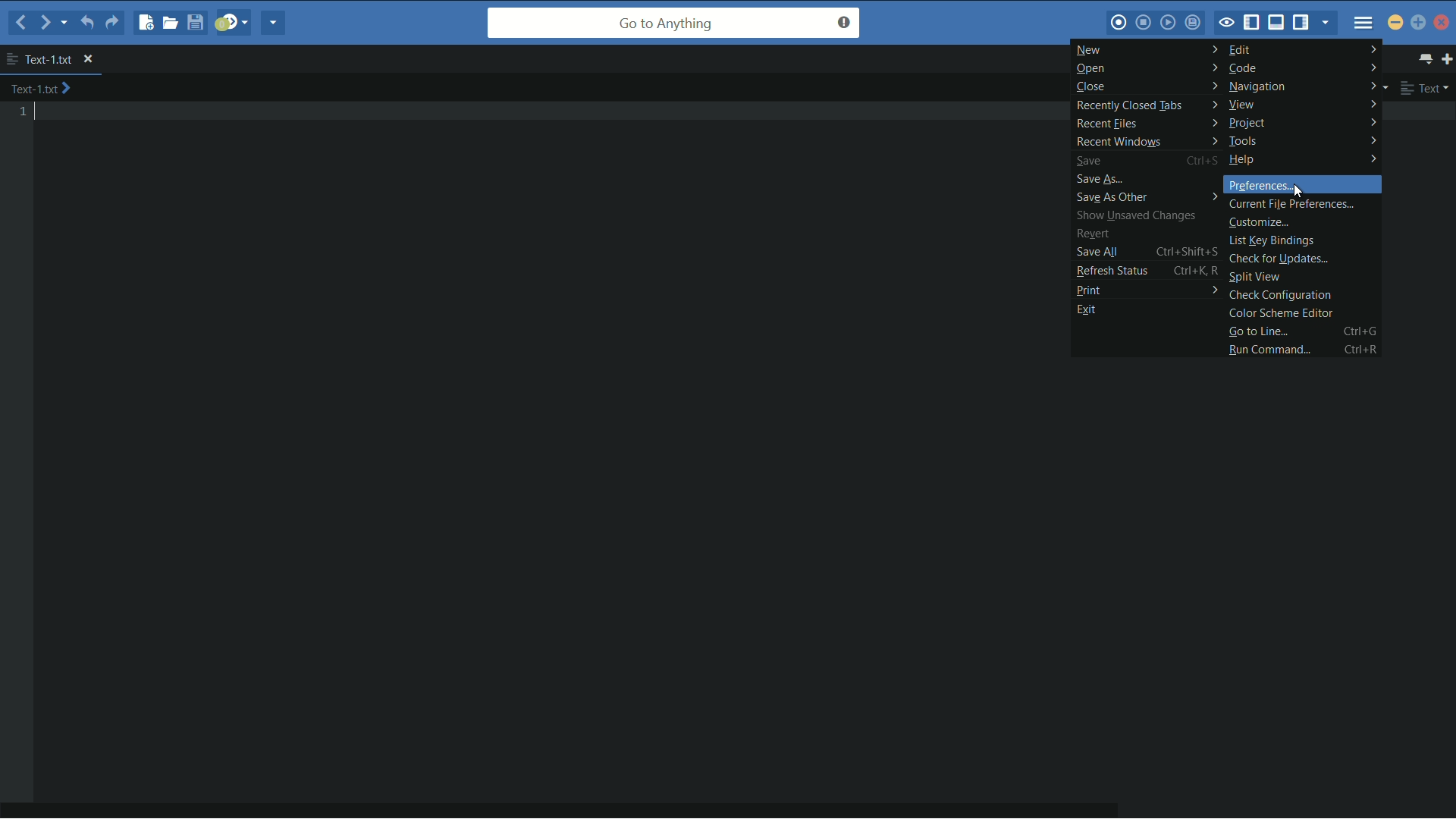 This screenshot has height=819, width=1456. Describe the element at coordinates (1258, 185) in the screenshot. I see `preferences` at that location.